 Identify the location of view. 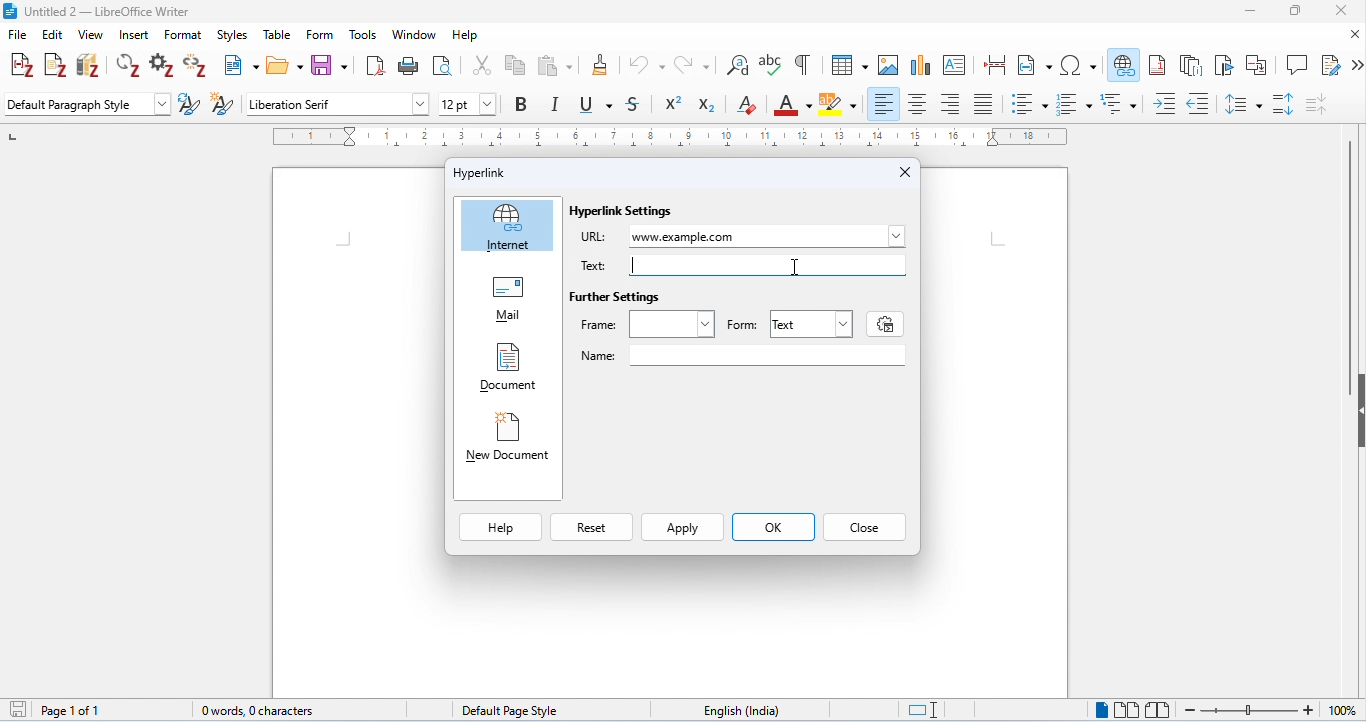
(92, 36).